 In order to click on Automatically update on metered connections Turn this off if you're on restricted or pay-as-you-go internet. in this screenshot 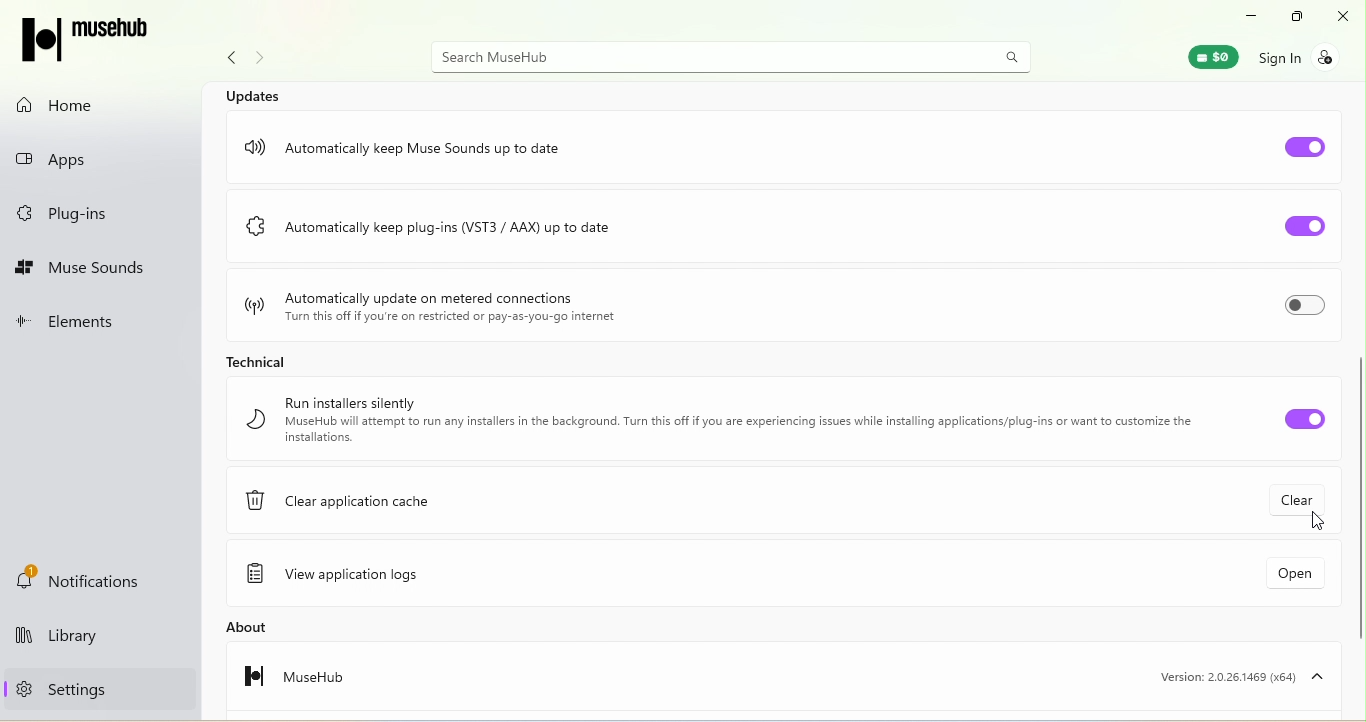, I will do `click(430, 303)`.